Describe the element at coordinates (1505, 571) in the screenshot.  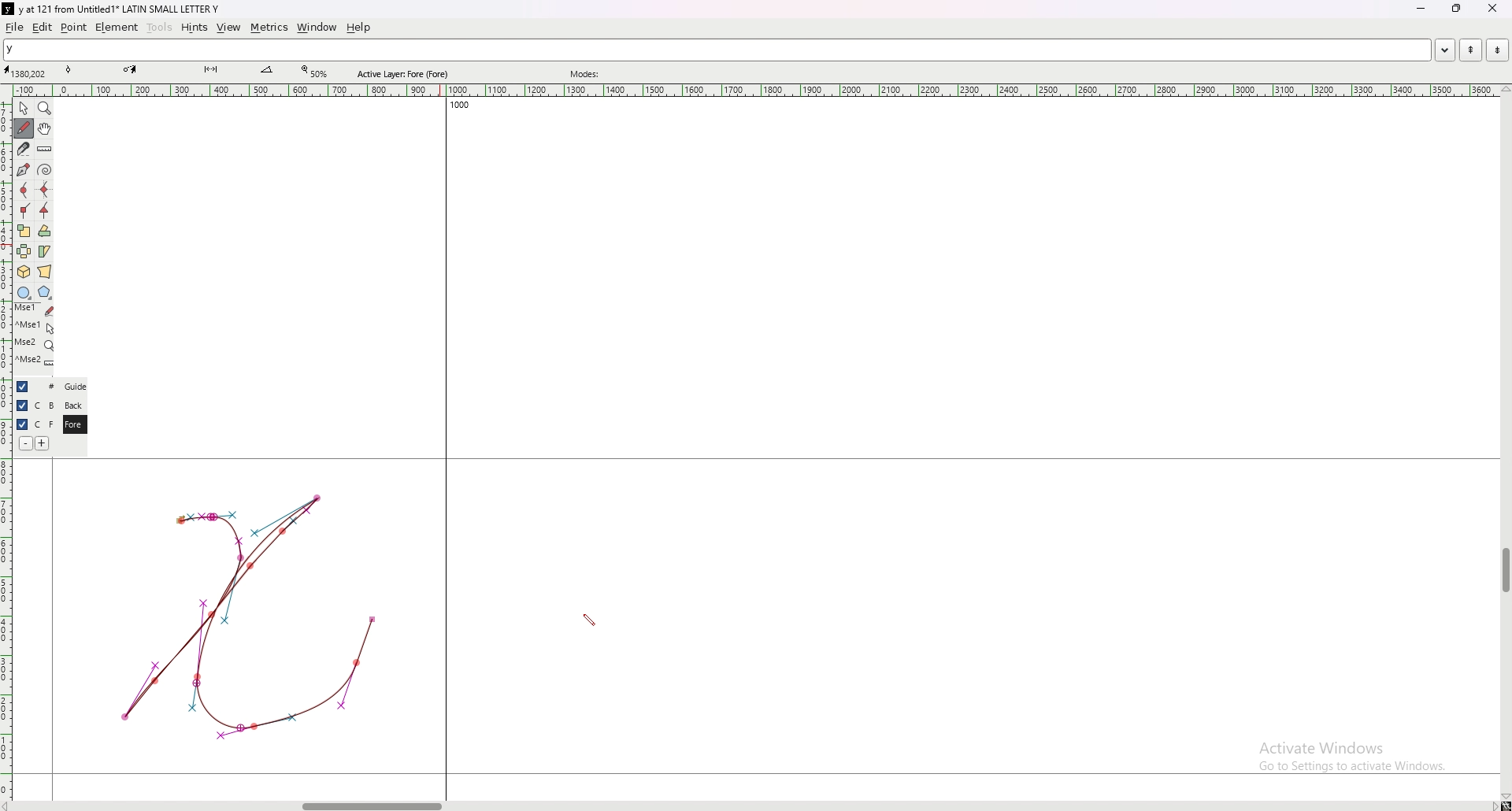
I see `scroll bar vertical` at that location.